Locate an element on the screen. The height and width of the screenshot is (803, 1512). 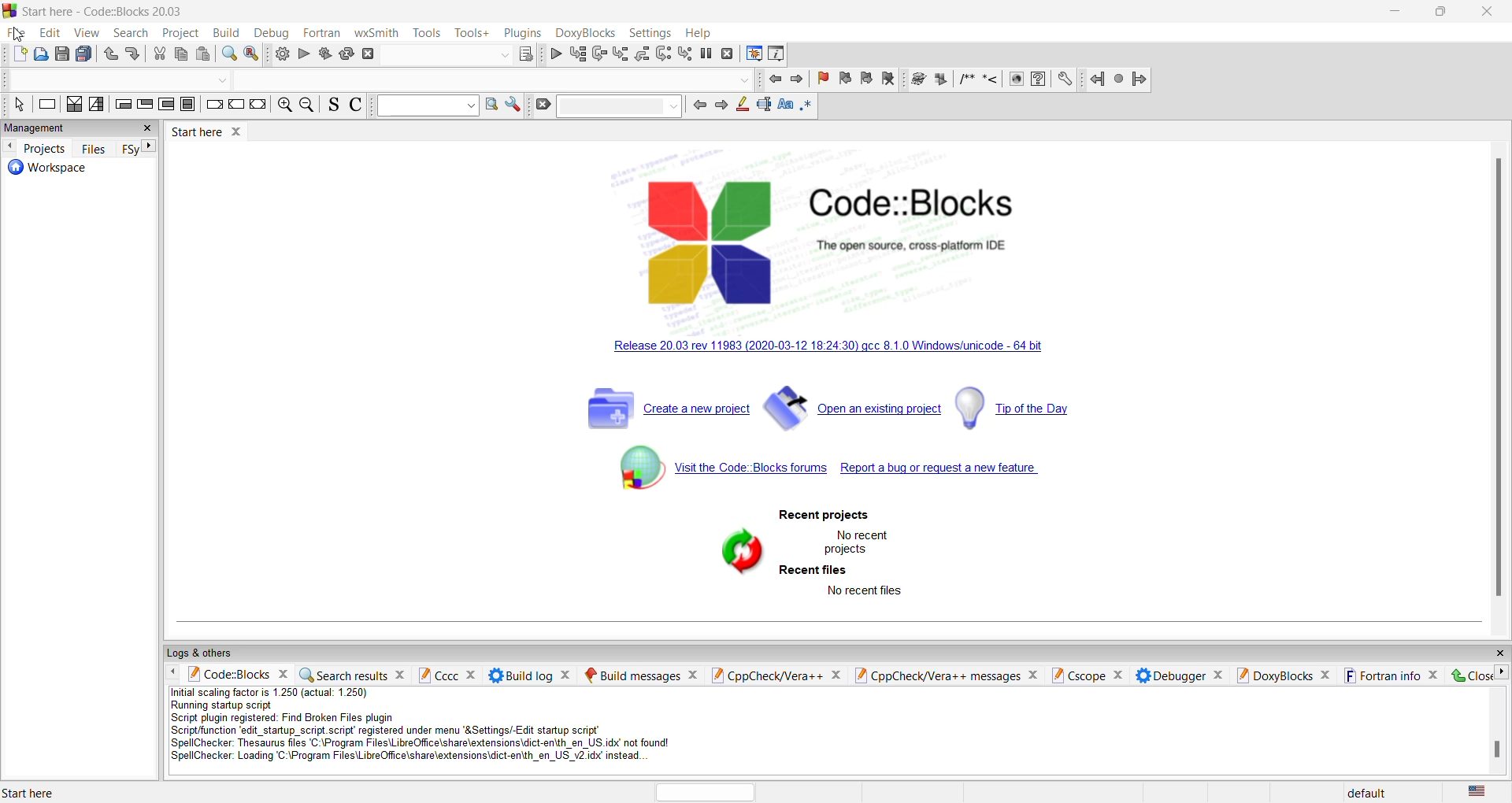
report bug is located at coordinates (942, 470).